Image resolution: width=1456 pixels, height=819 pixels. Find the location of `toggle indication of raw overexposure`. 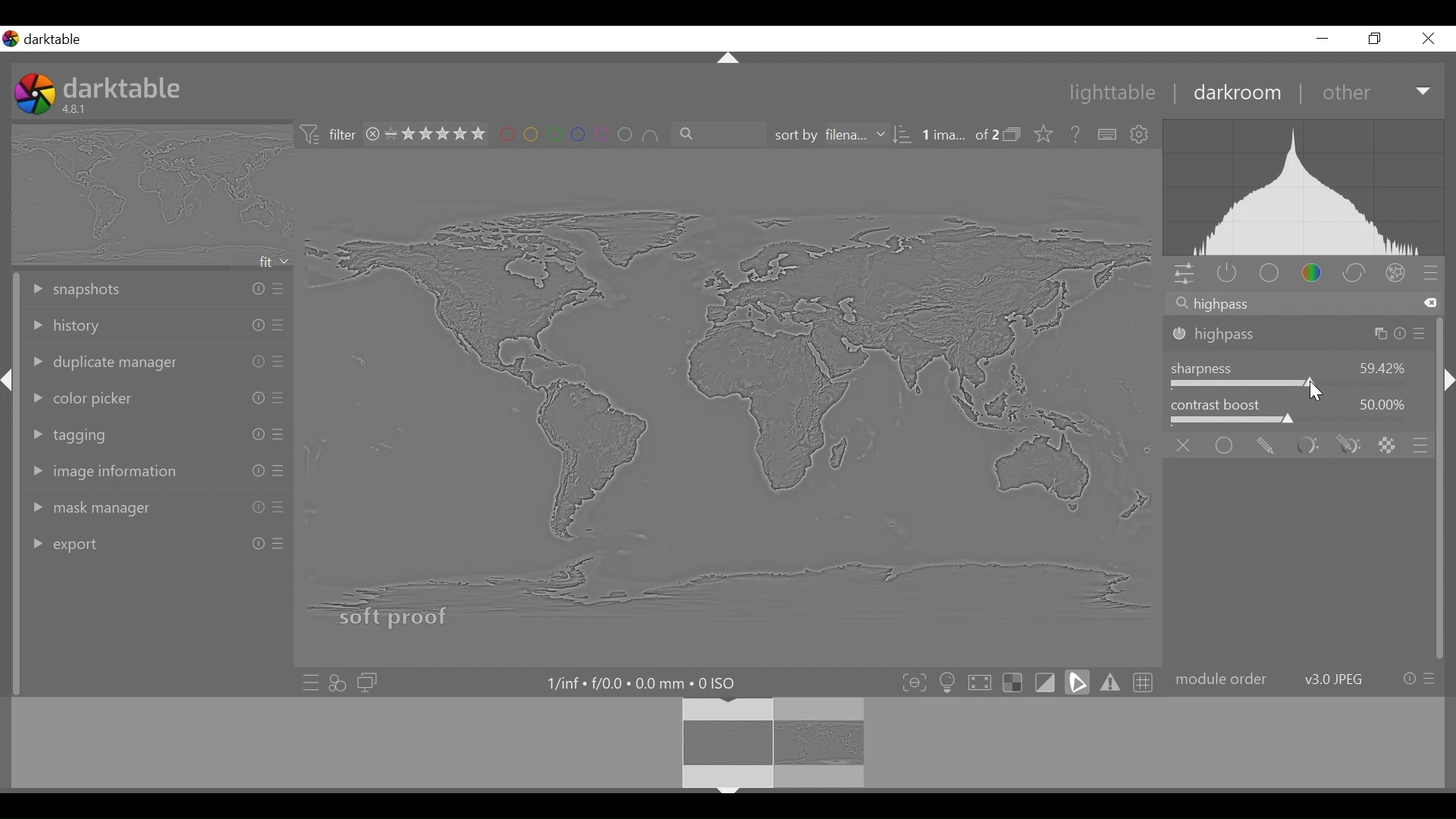

toggle indication of raw overexposure is located at coordinates (1012, 681).